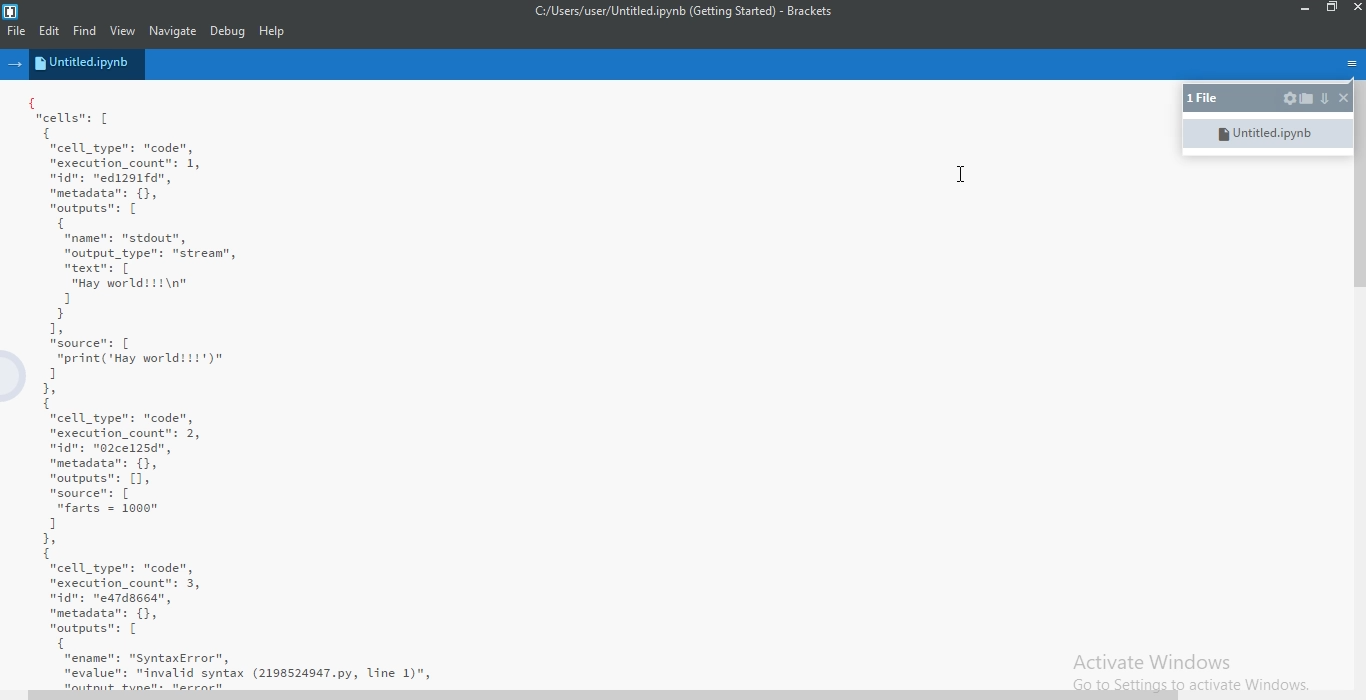  I want to click on menu, so click(1349, 62).